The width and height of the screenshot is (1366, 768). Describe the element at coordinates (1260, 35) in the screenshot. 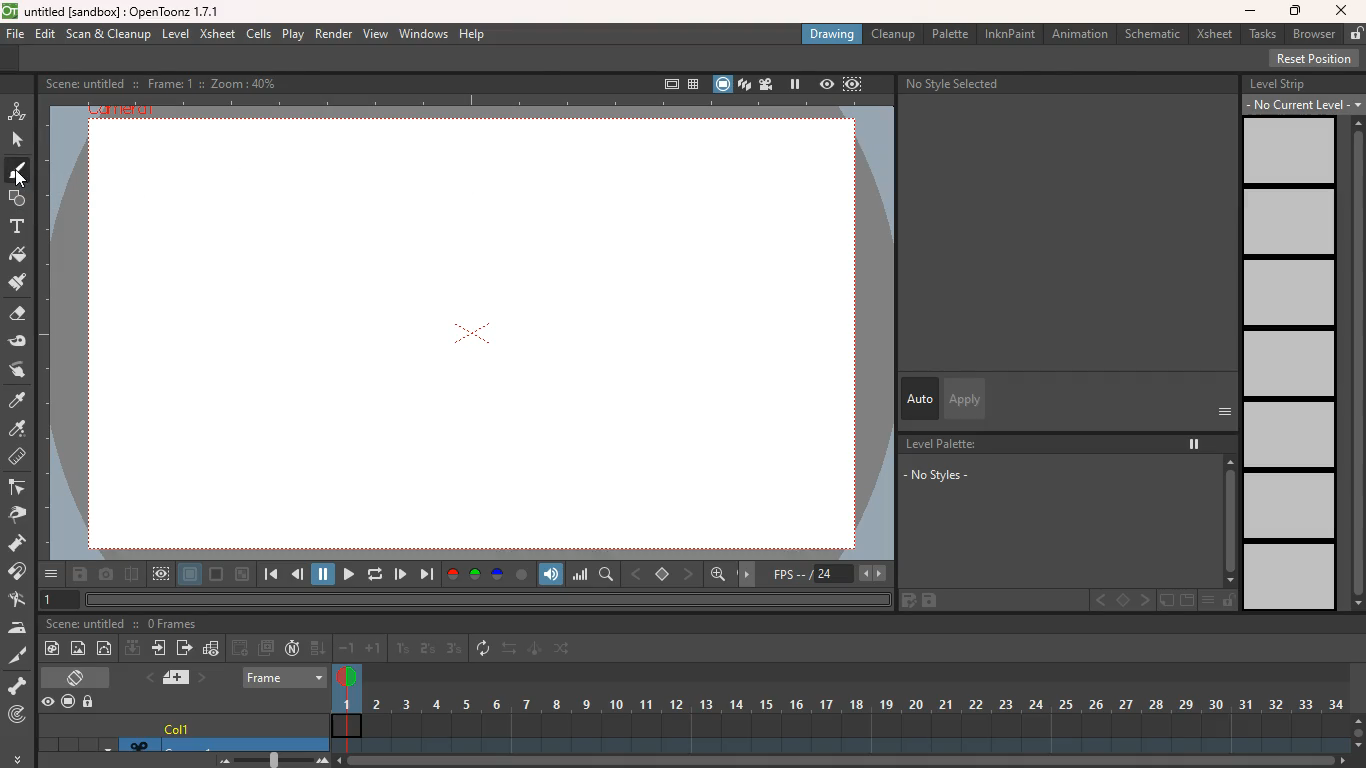

I see `tasks` at that location.